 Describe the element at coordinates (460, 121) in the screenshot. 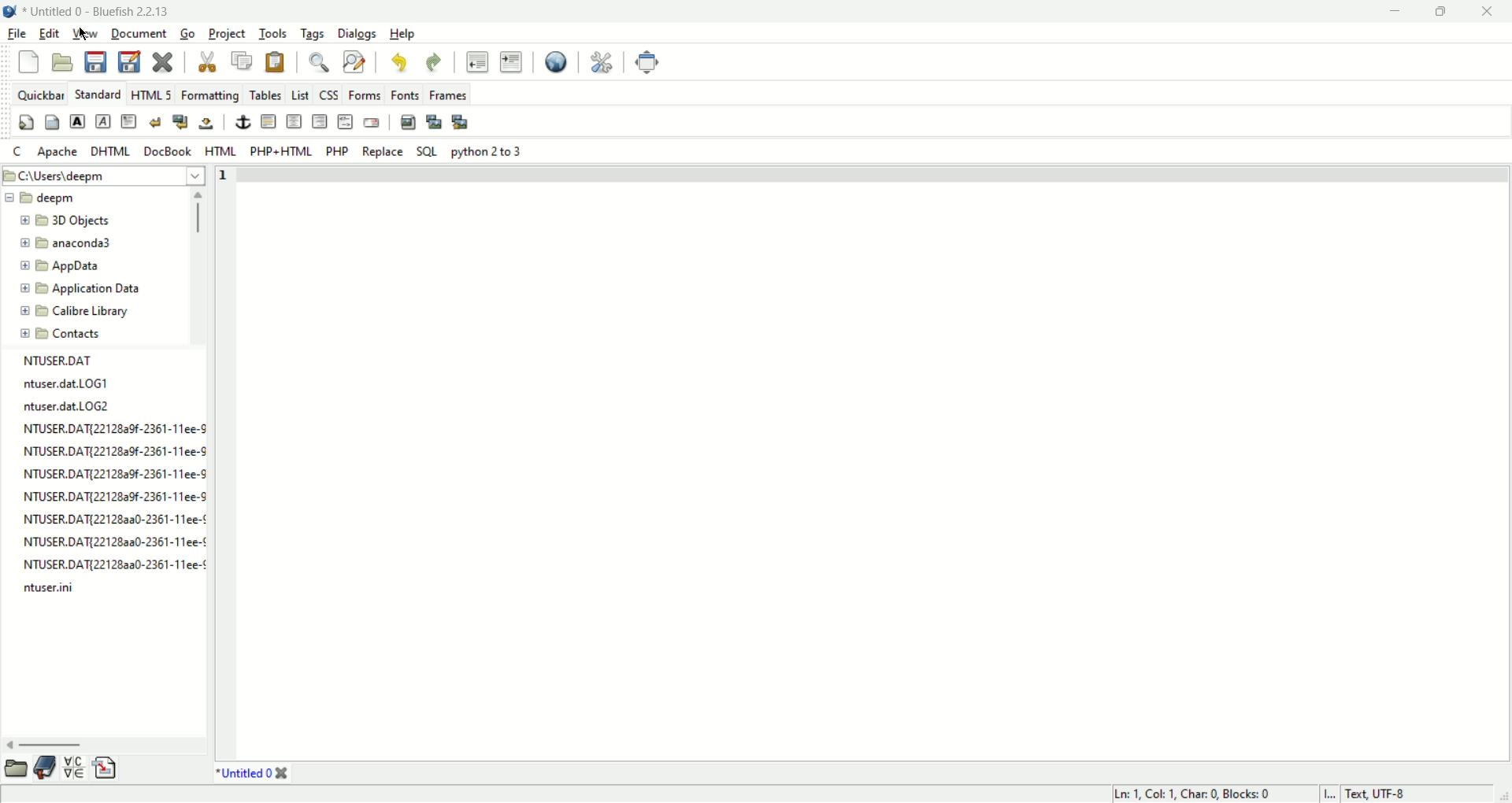

I see `multi thumbnail` at that location.